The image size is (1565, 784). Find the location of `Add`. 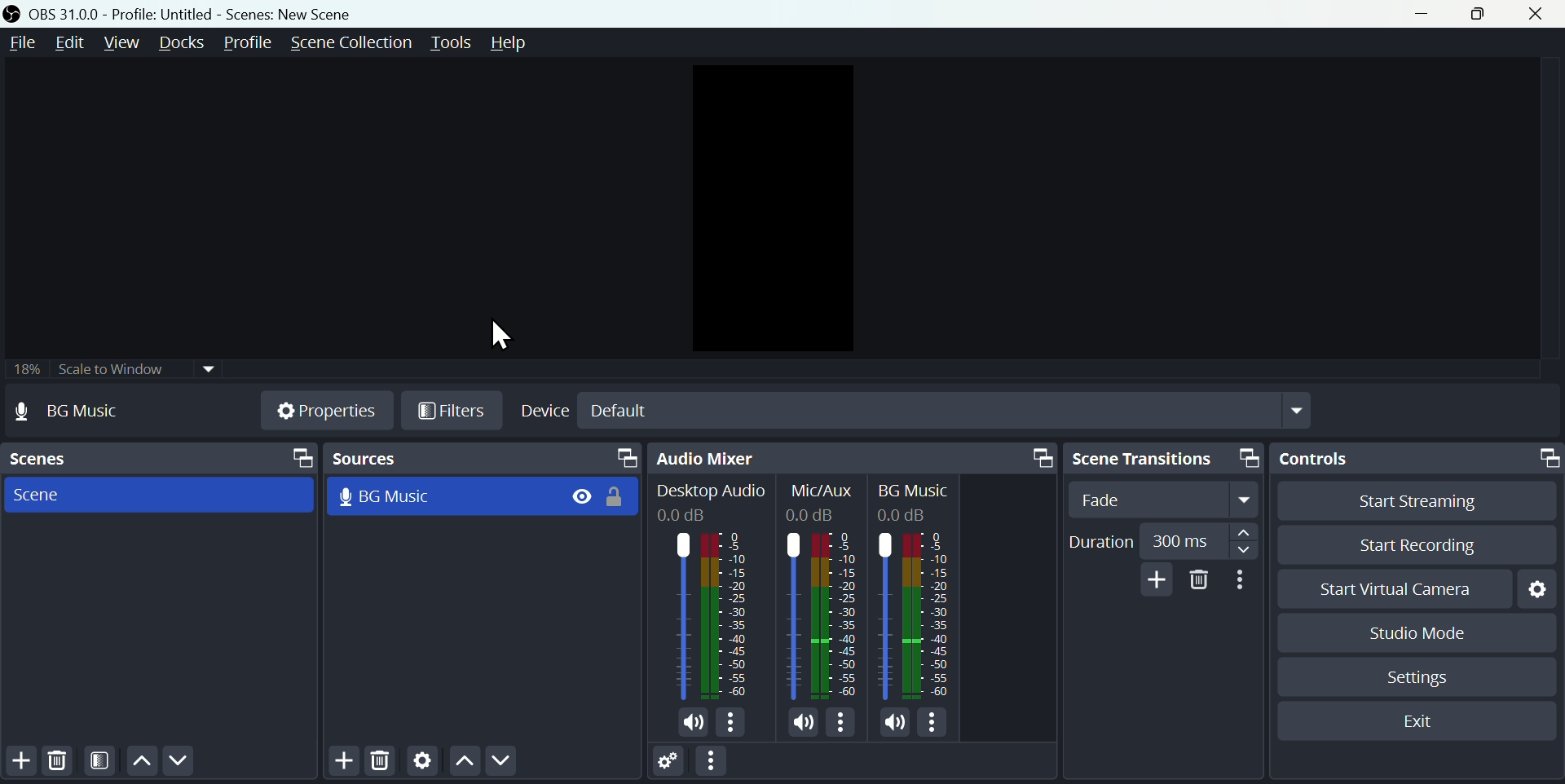

Add is located at coordinates (23, 765).